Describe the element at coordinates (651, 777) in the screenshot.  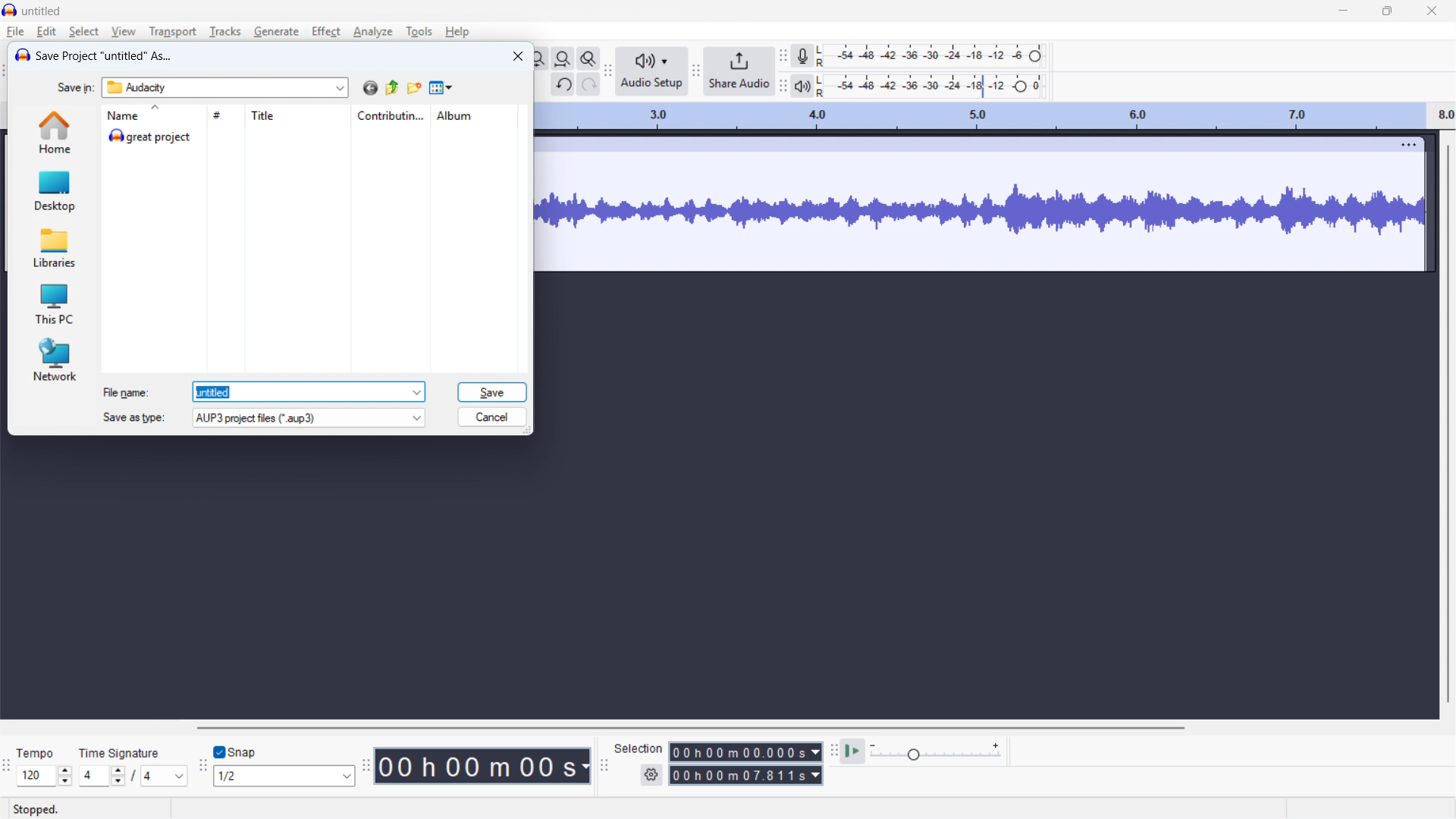
I see `selection settings` at that location.